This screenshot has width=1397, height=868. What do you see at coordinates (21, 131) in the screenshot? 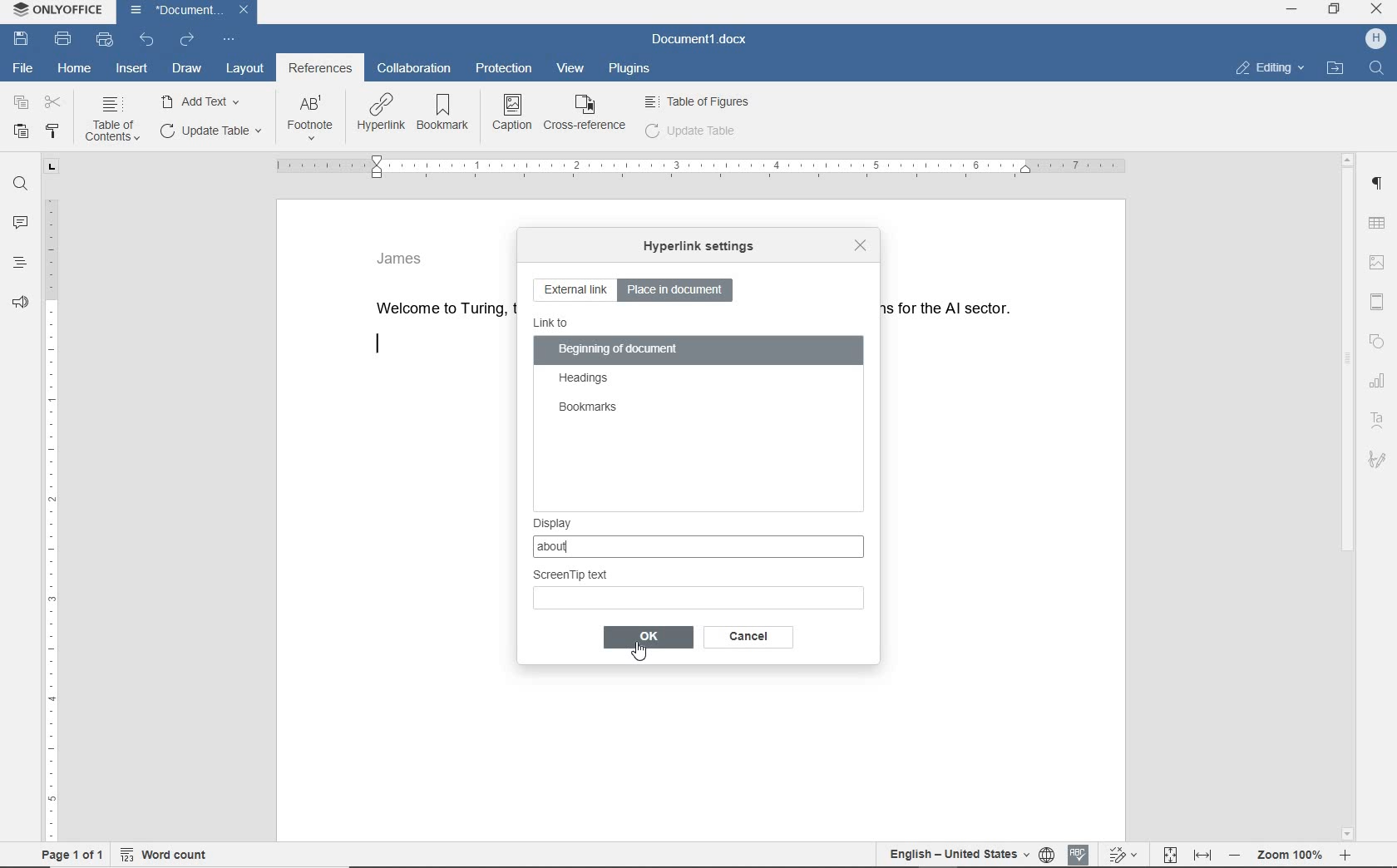
I see `paste` at bounding box center [21, 131].